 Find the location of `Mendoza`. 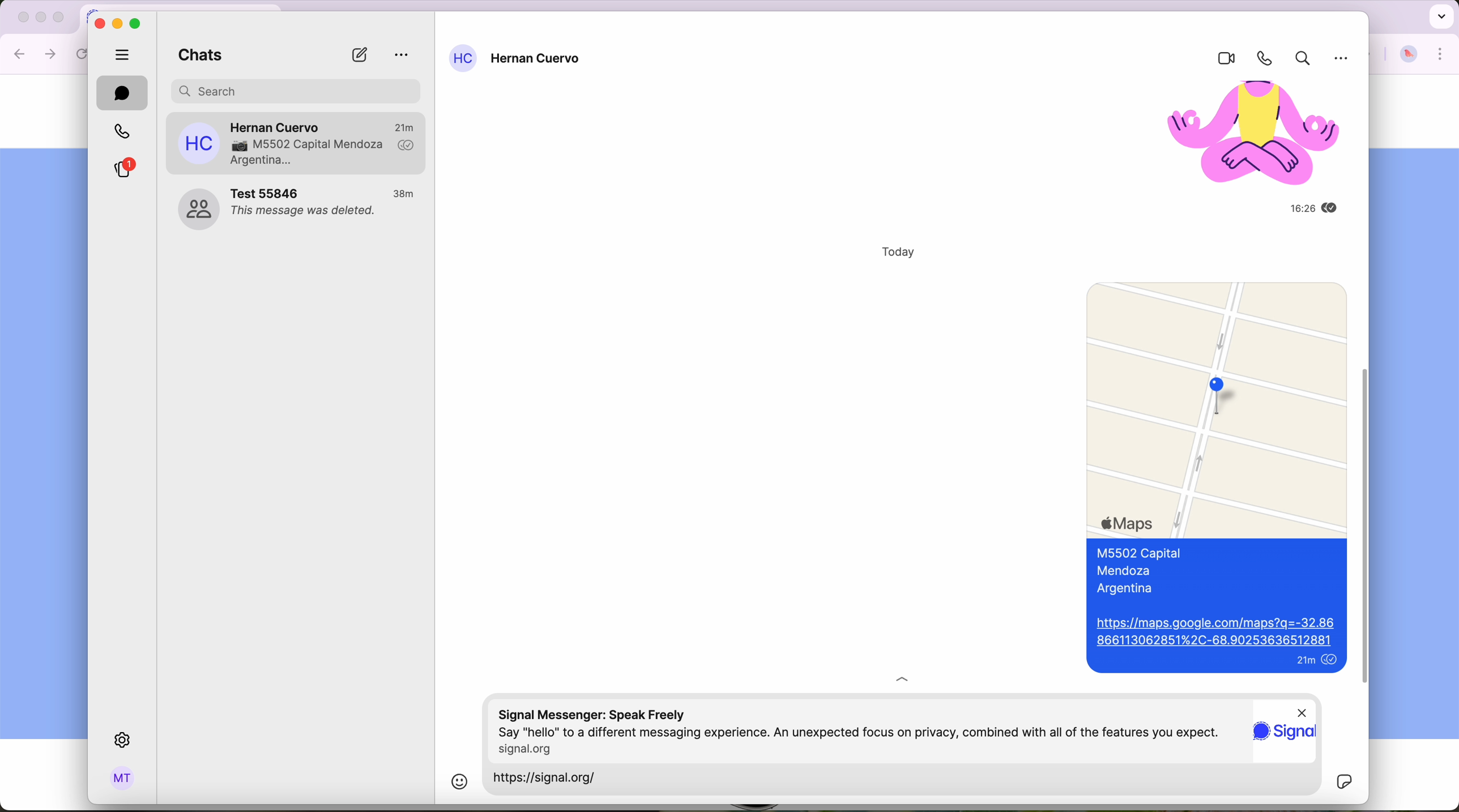

Mendoza is located at coordinates (1125, 571).